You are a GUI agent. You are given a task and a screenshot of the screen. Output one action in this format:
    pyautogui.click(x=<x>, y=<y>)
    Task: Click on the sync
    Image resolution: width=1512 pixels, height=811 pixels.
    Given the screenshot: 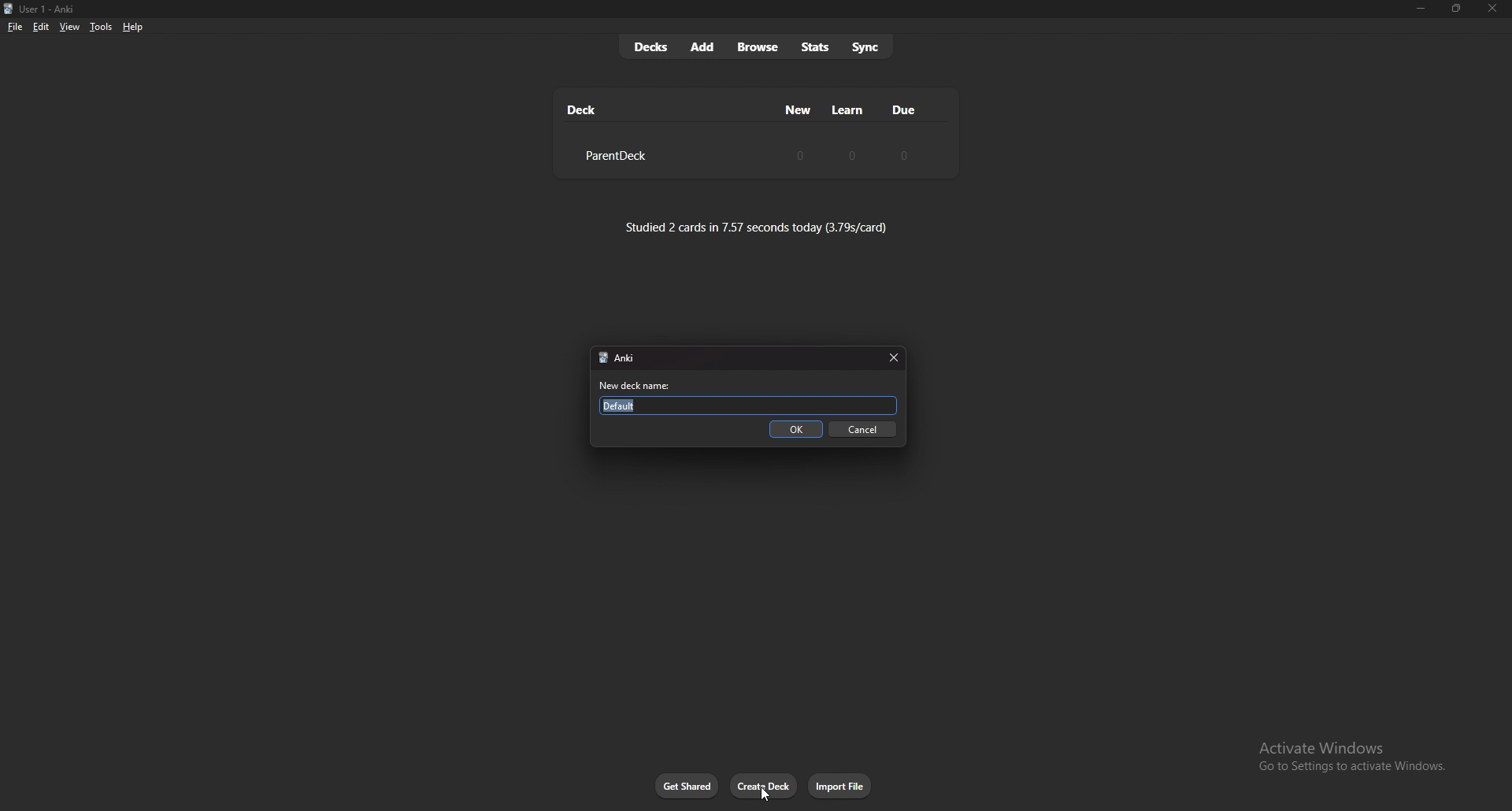 What is the action you would take?
    pyautogui.click(x=867, y=46)
    